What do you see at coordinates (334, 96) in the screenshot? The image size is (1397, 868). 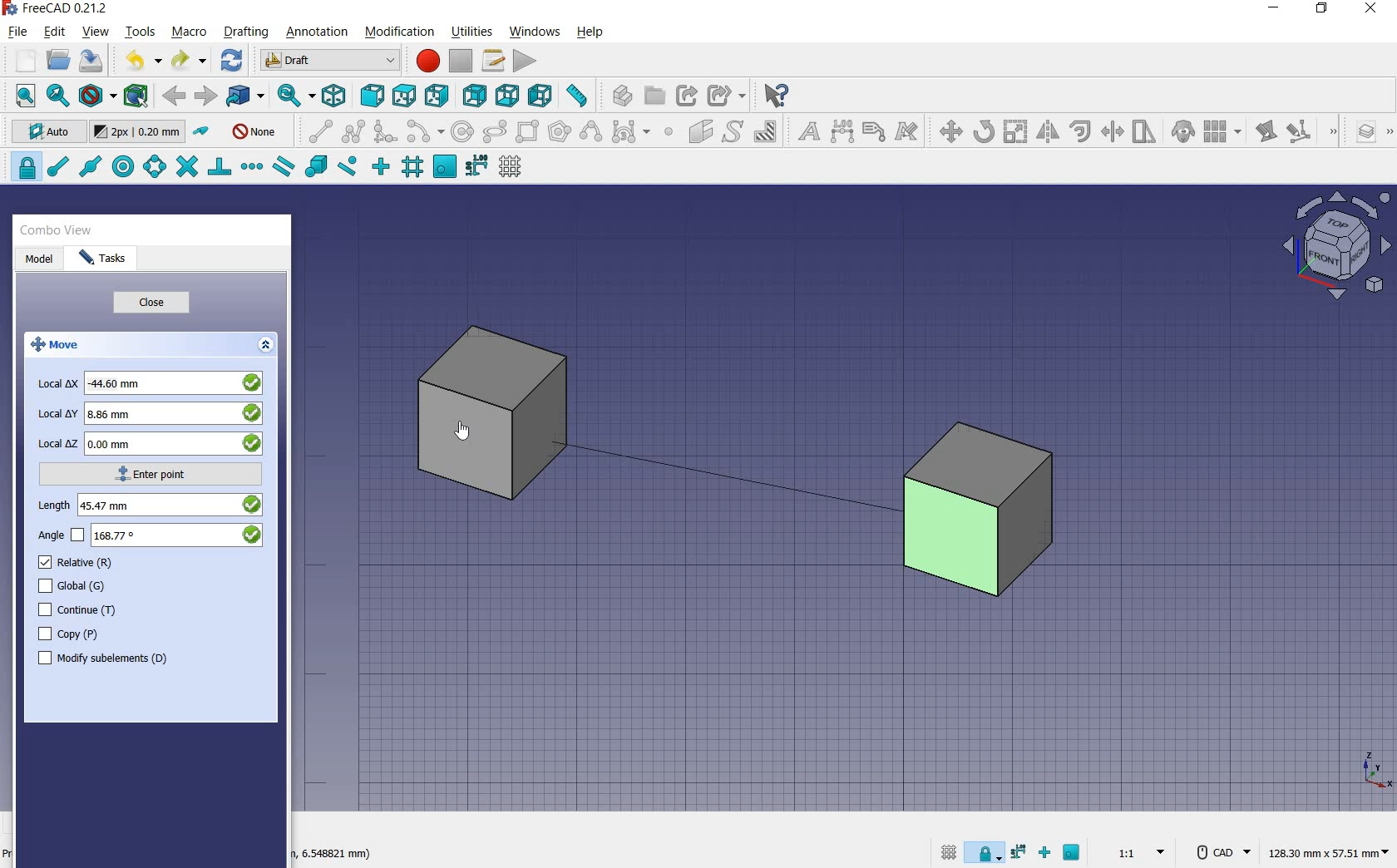 I see `isometric` at bounding box center [334, 96].